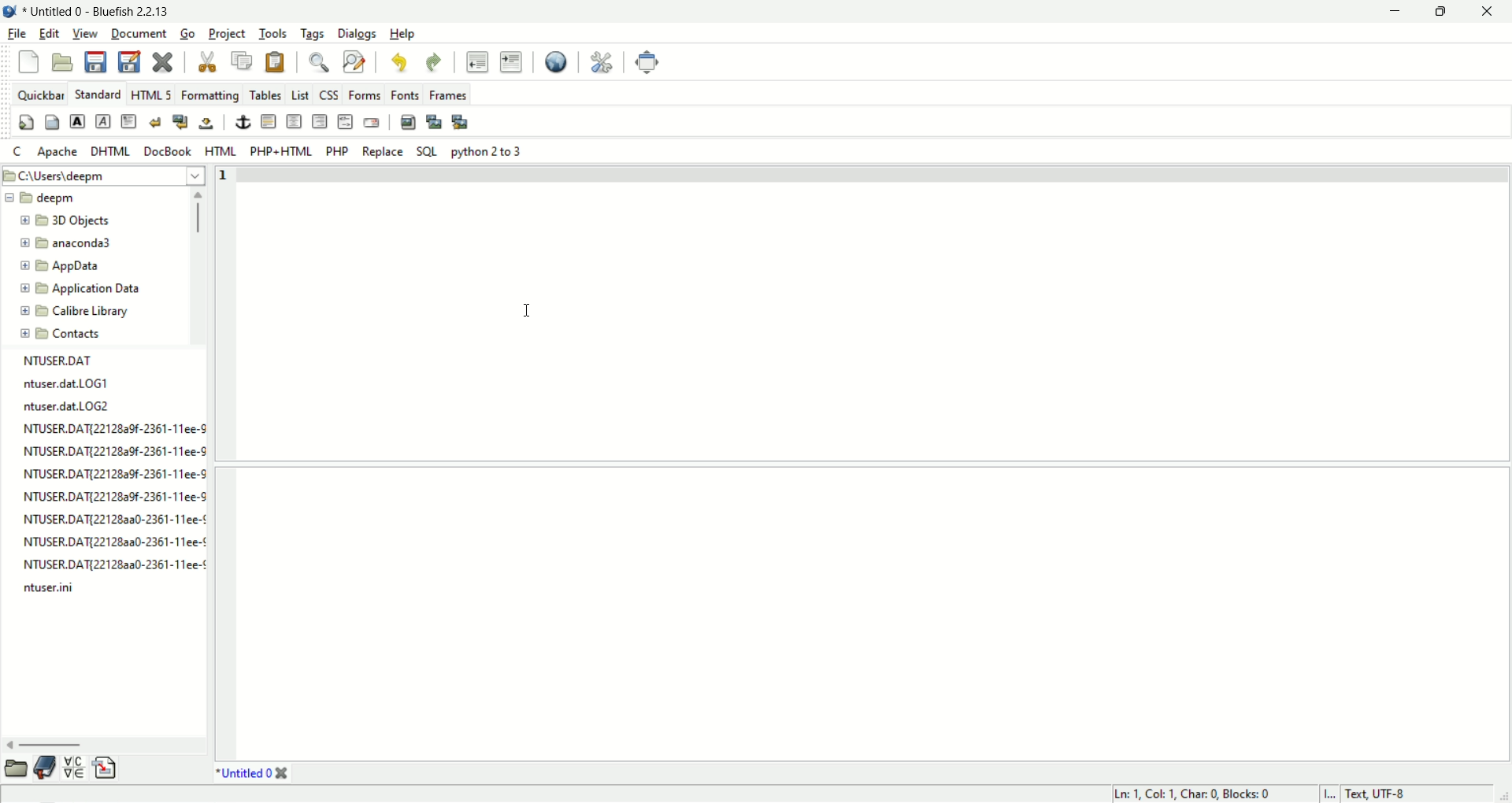 This screenshot has width=1512, height=803. I want to click on Test, UTF-8, so click(1392, 794).